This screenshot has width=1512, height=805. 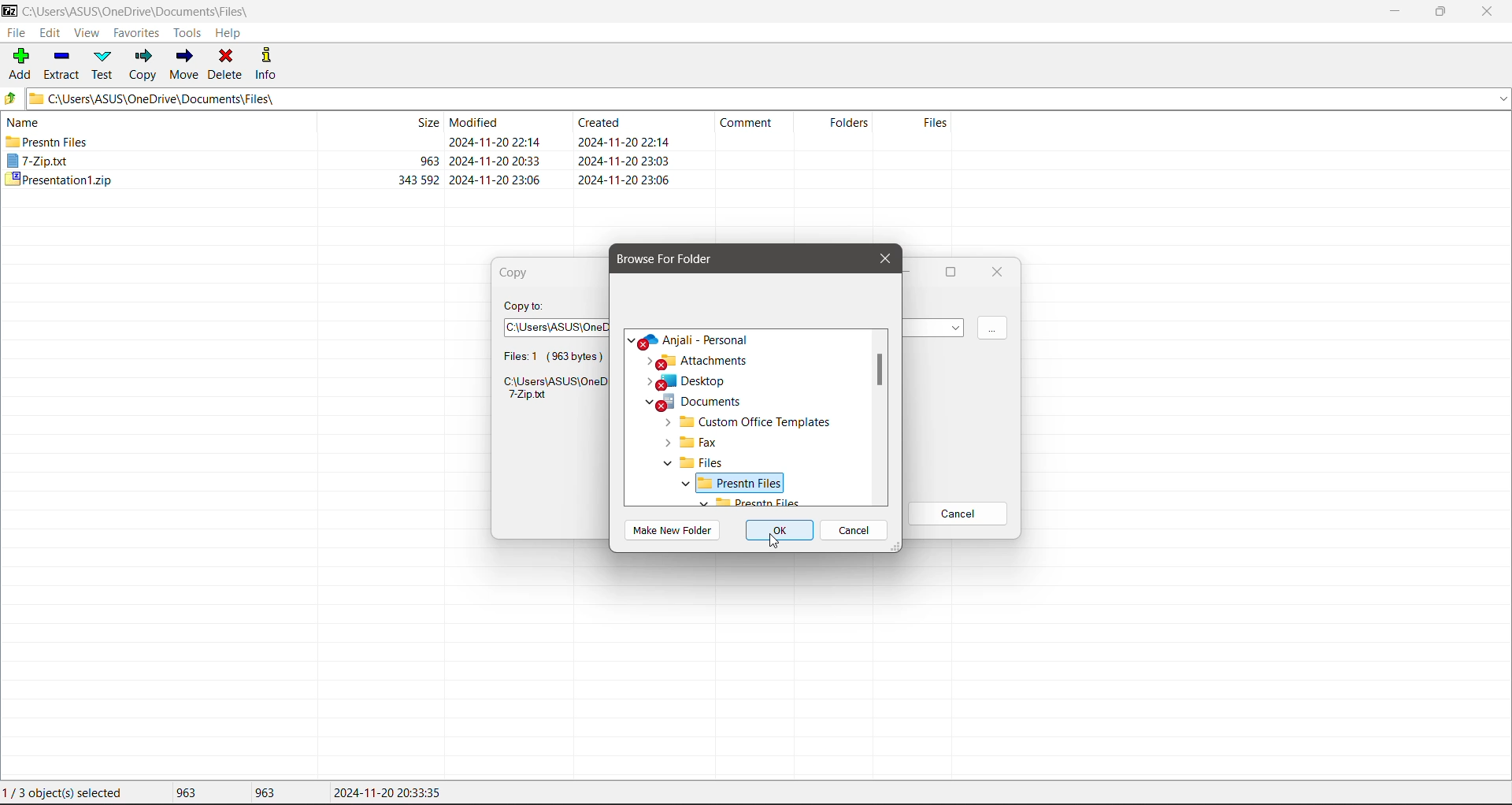 I want to click on File, so click(x=15, y=32).